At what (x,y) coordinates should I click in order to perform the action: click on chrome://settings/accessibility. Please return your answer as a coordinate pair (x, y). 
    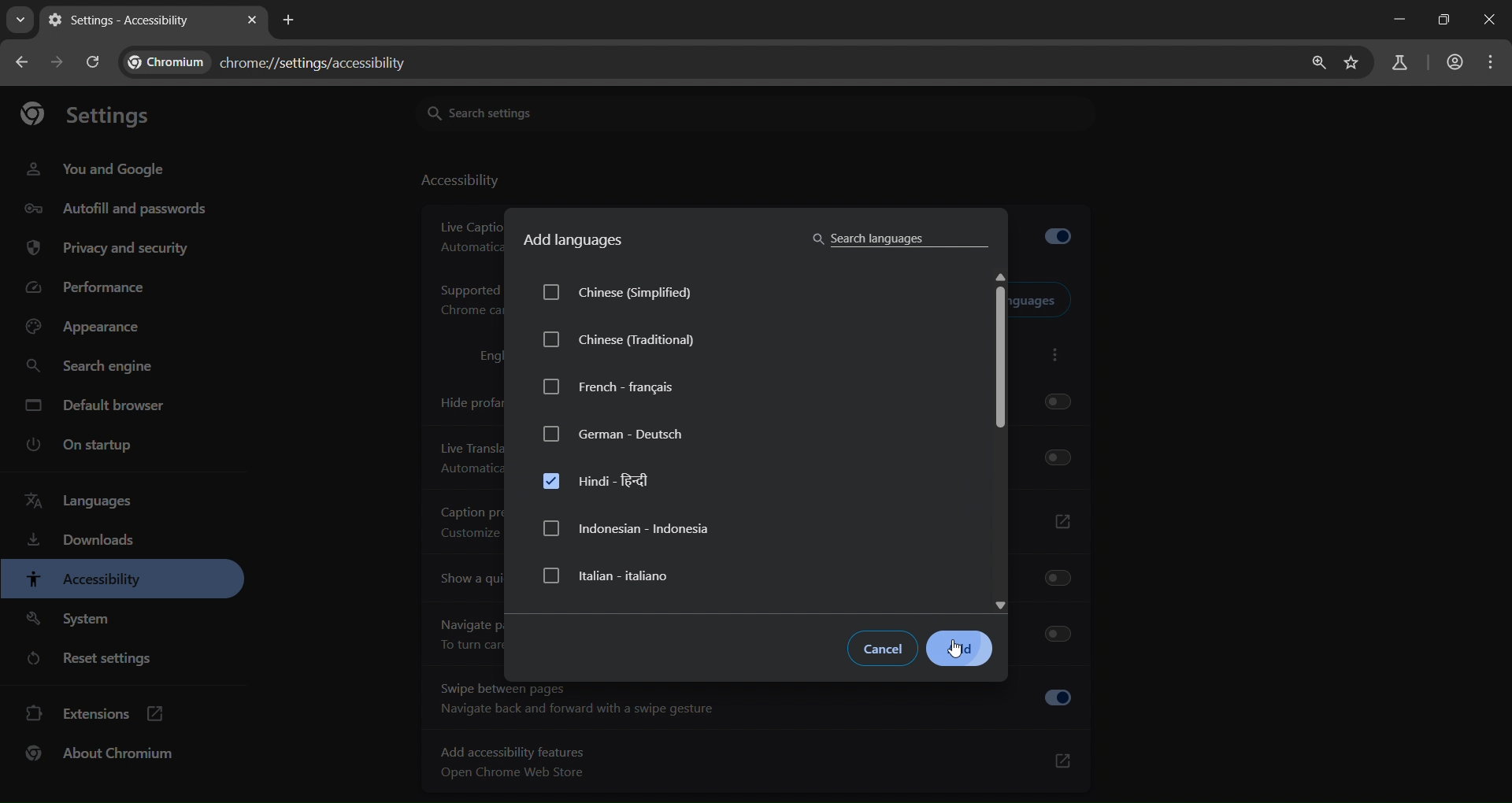
    Looking at the image, I should click on (316, 60).